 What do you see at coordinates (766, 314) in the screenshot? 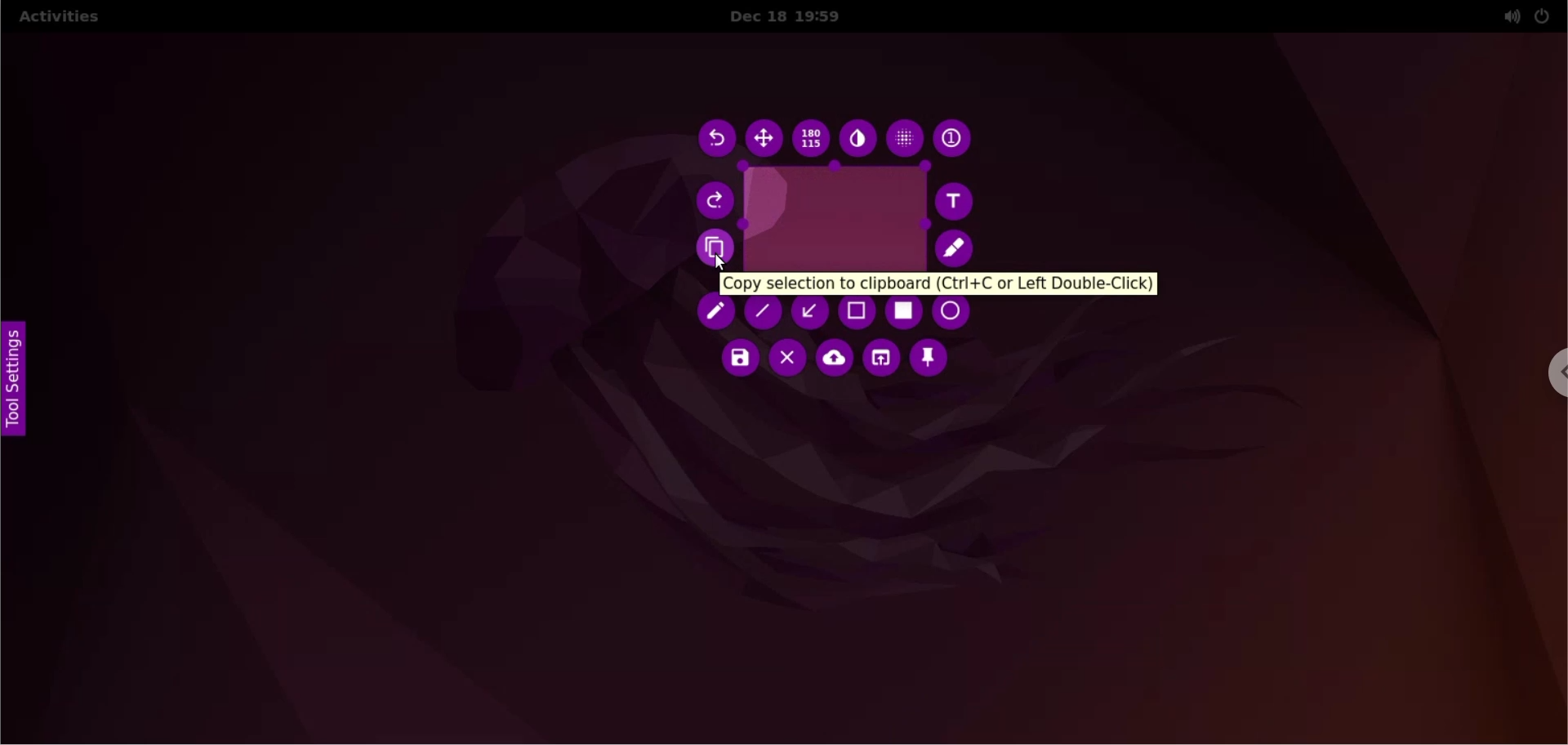
I see `line` at bounding box center [766, 314].